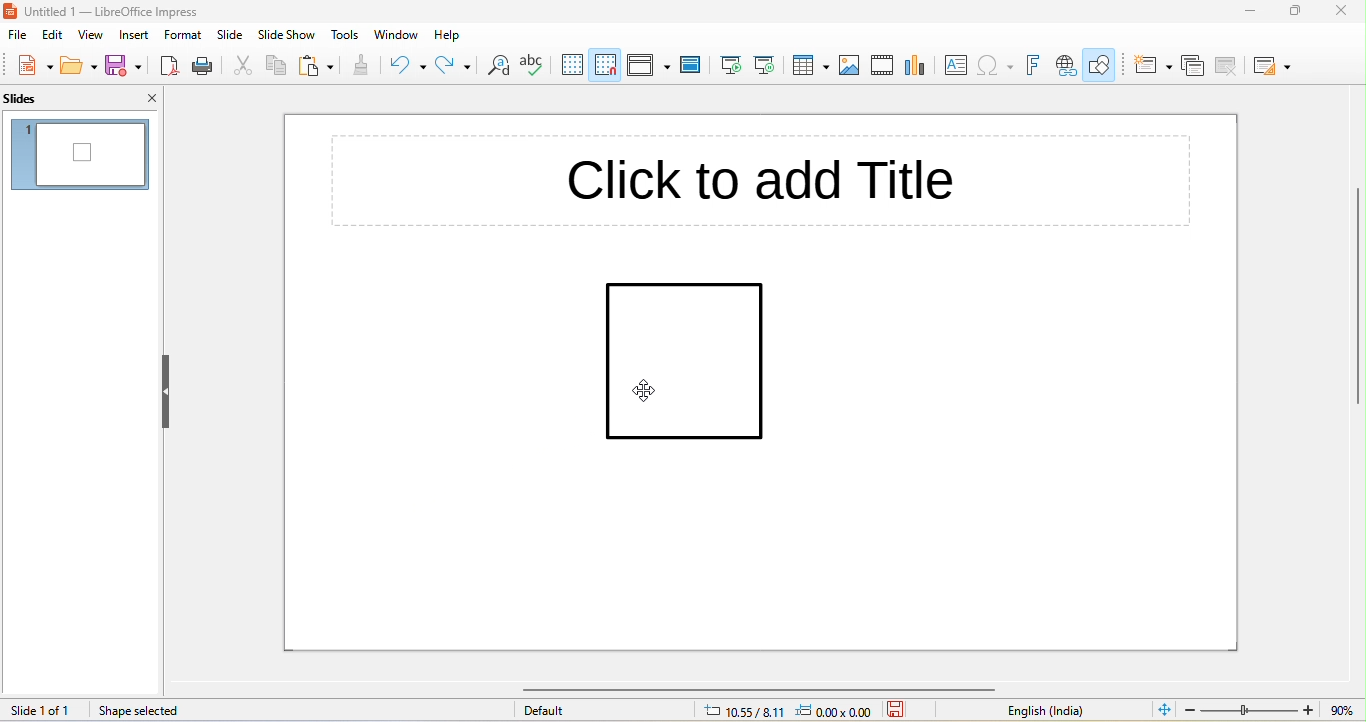 The width and height of the screenshot is (1366, 722). I want to click on fit to current window, so click(1165, 709).